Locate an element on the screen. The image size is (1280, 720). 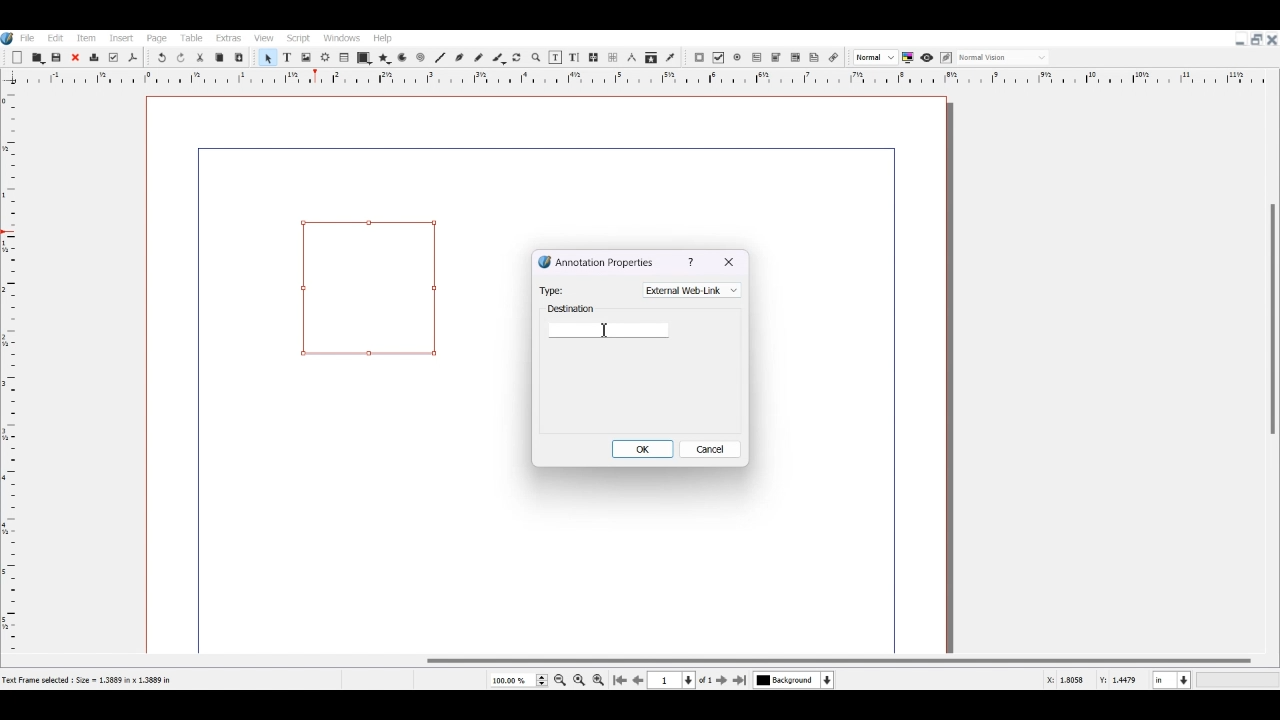
Edit content of frame is located at coordinates (555, 57).